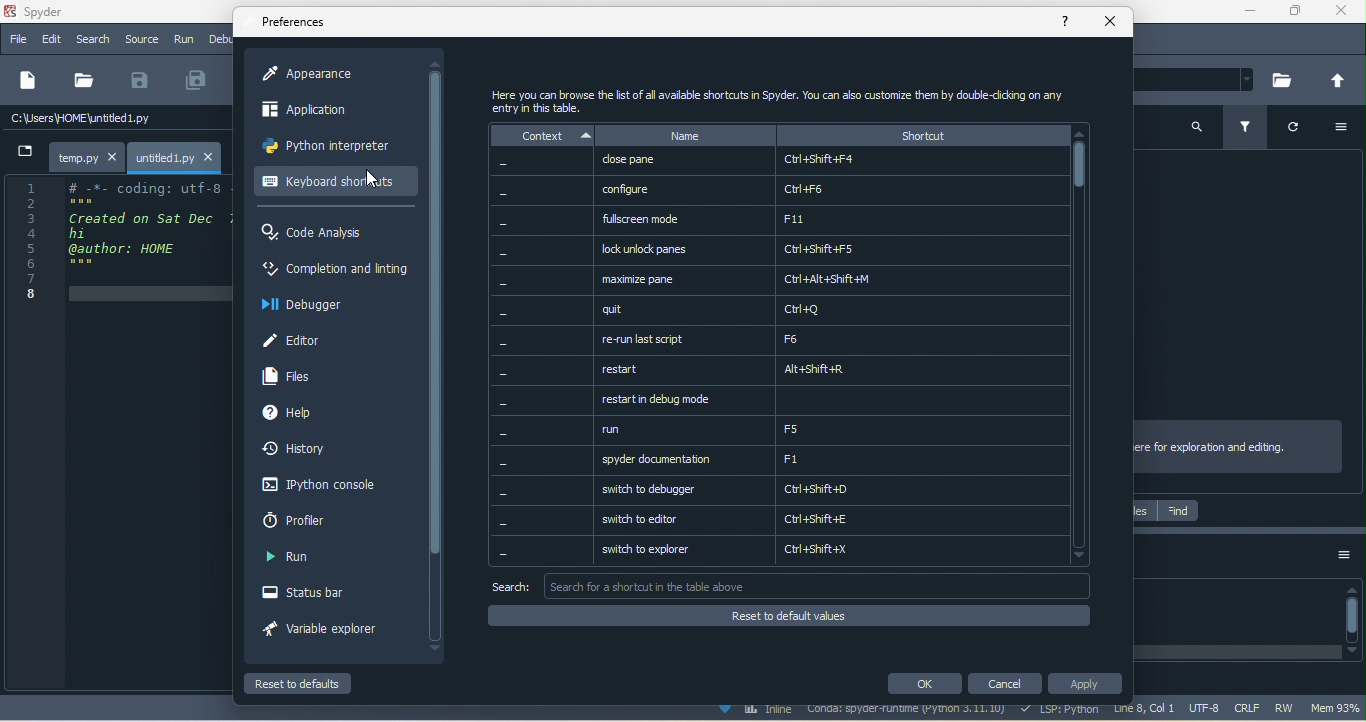  Describe the element at coordinates (337, 75) in the screenshot. I see `appearence` at that location.